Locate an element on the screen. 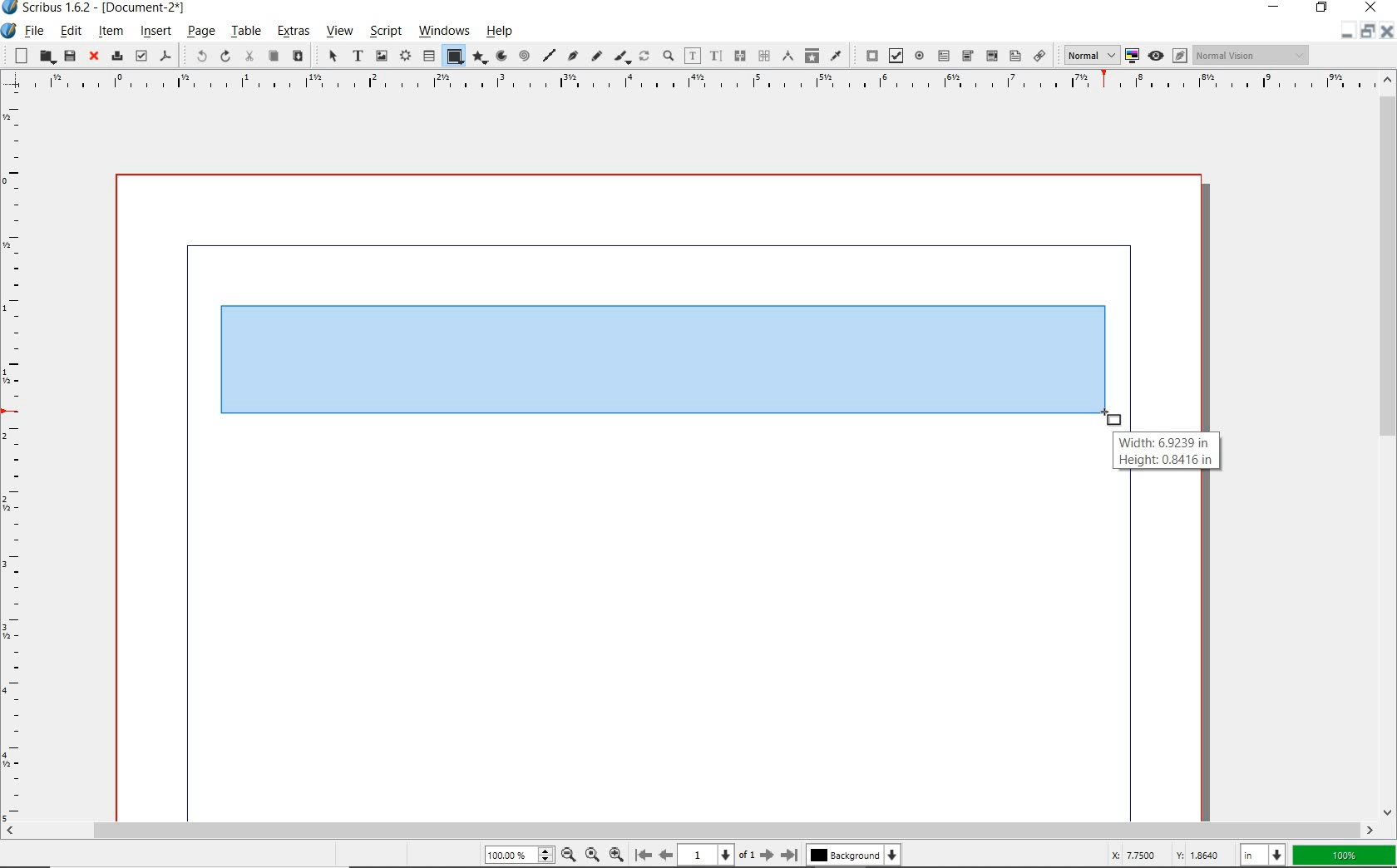  pdf combo box is located at coordinates (967, 57).